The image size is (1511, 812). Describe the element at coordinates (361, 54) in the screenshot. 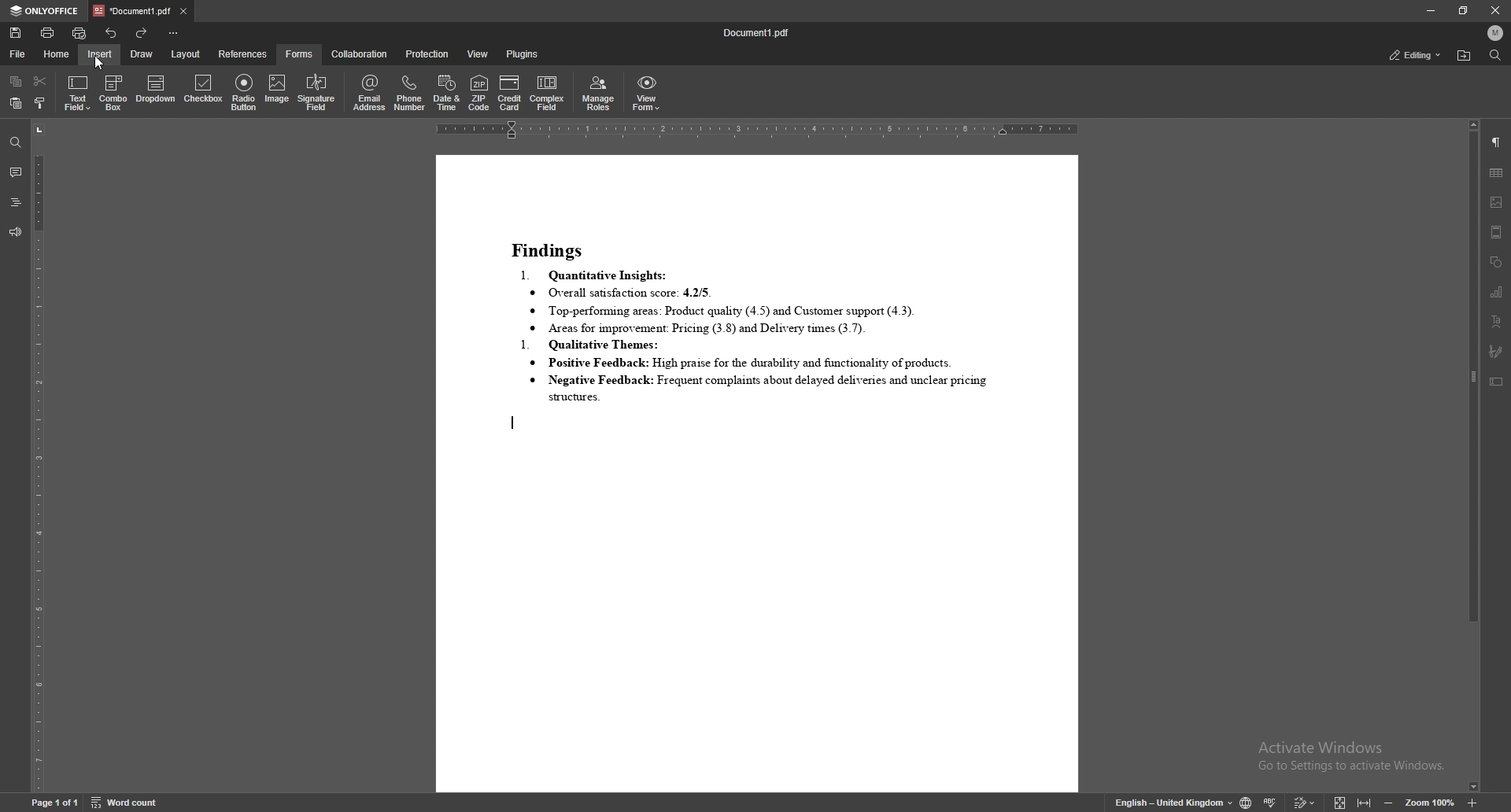

I see `collaboration` at that location.